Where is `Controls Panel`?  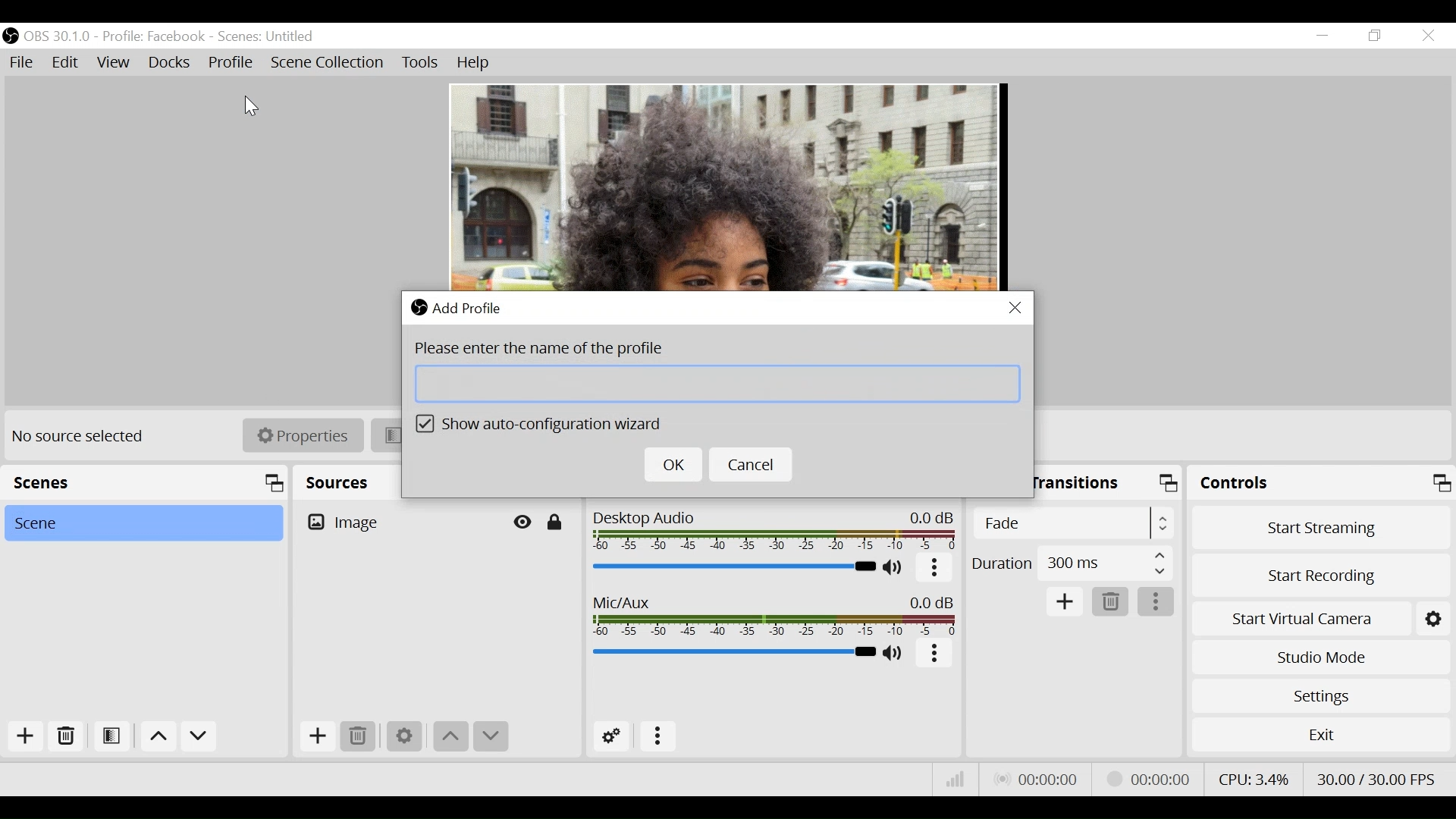 Controls Panel is located at coordinates (1323, 483).